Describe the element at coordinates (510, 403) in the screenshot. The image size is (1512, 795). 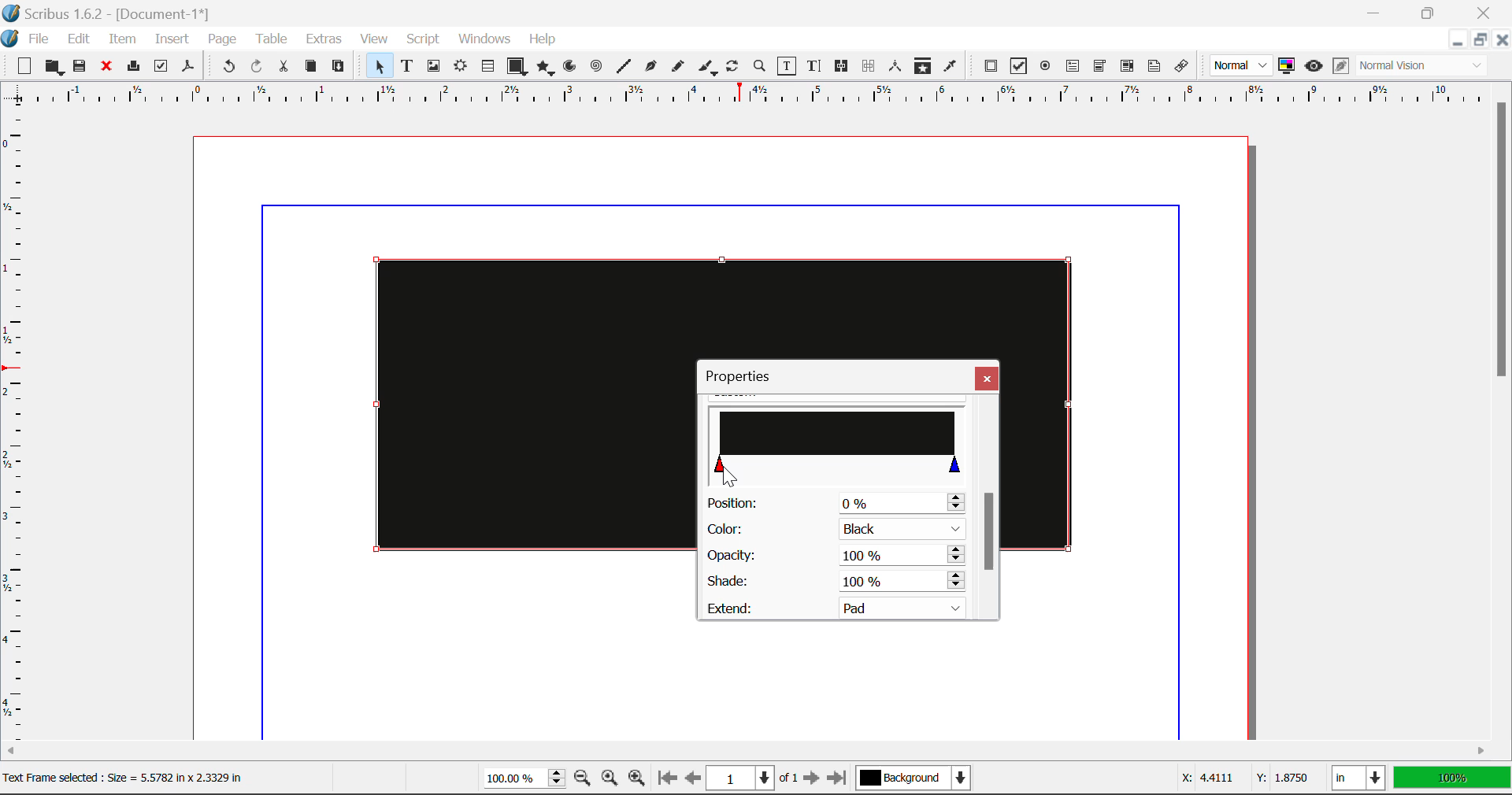
I see `Text Frame Color Changed` at that location.